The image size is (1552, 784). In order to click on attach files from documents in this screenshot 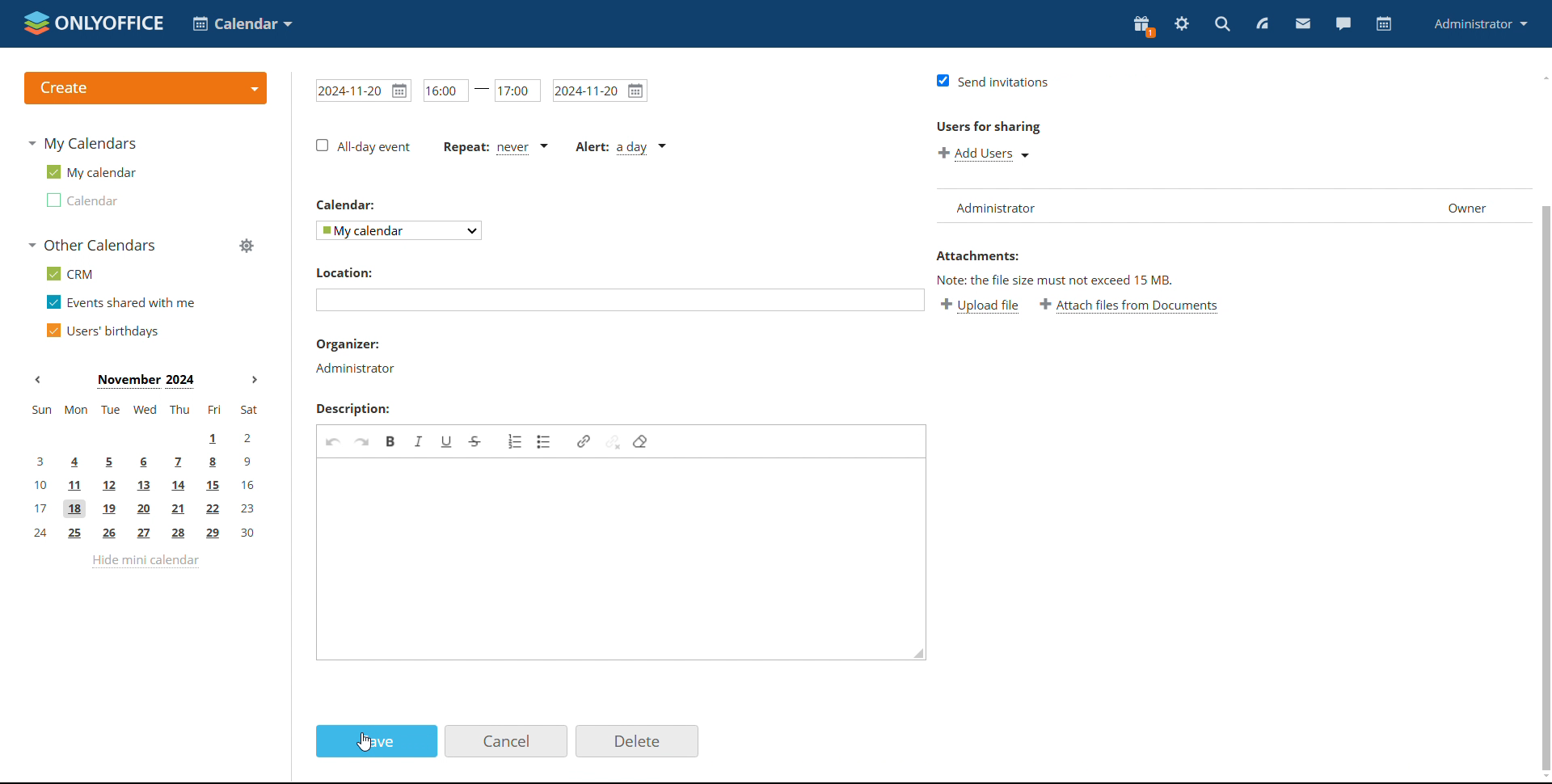, I will do `click(1130, 306)`.